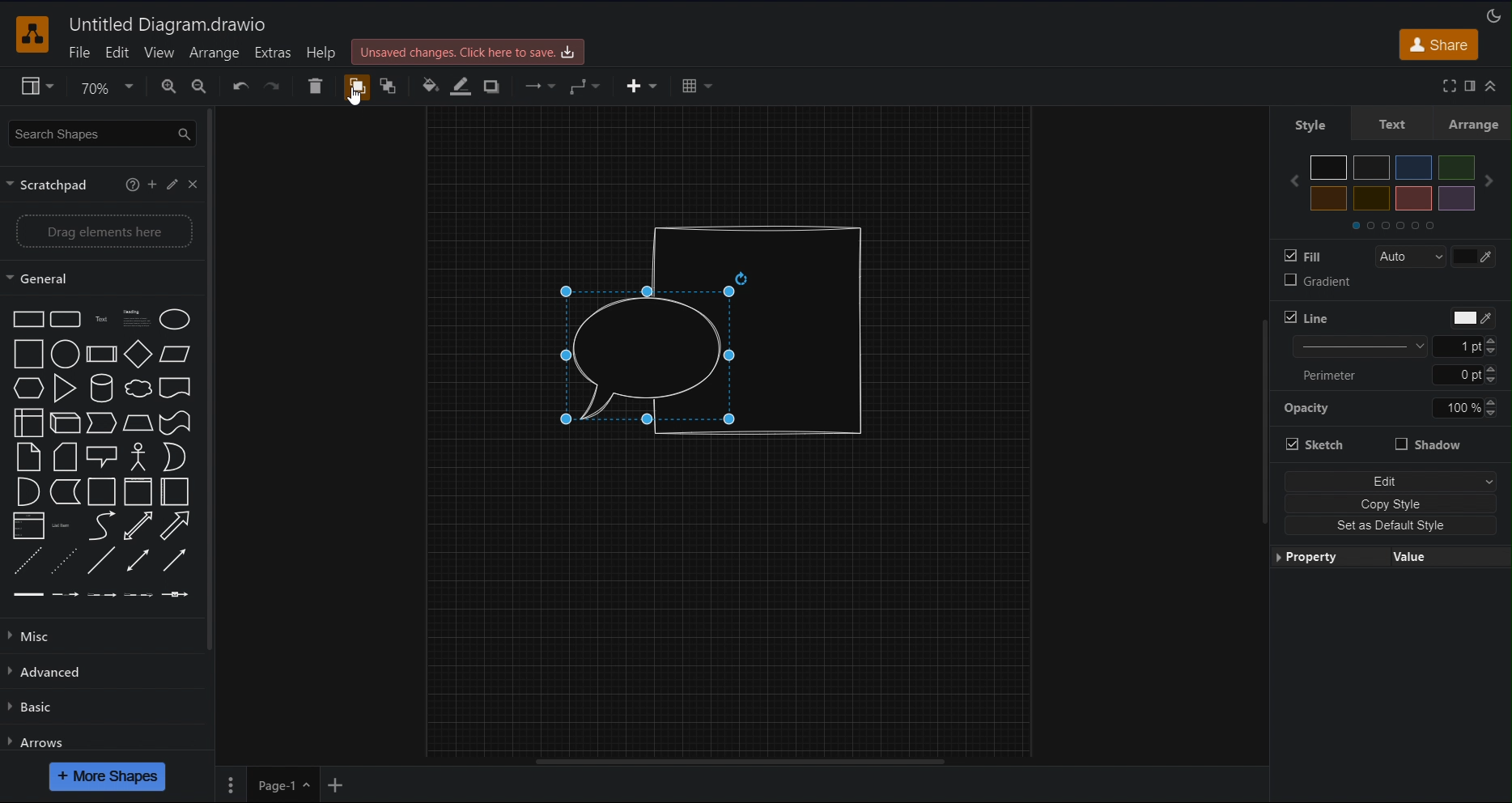 The width and height of the screenshot is (1512, 803). What do you see at coordinates (215, 53) in the screenshot?
I see `Arrange` at bounding box center [215, 53].